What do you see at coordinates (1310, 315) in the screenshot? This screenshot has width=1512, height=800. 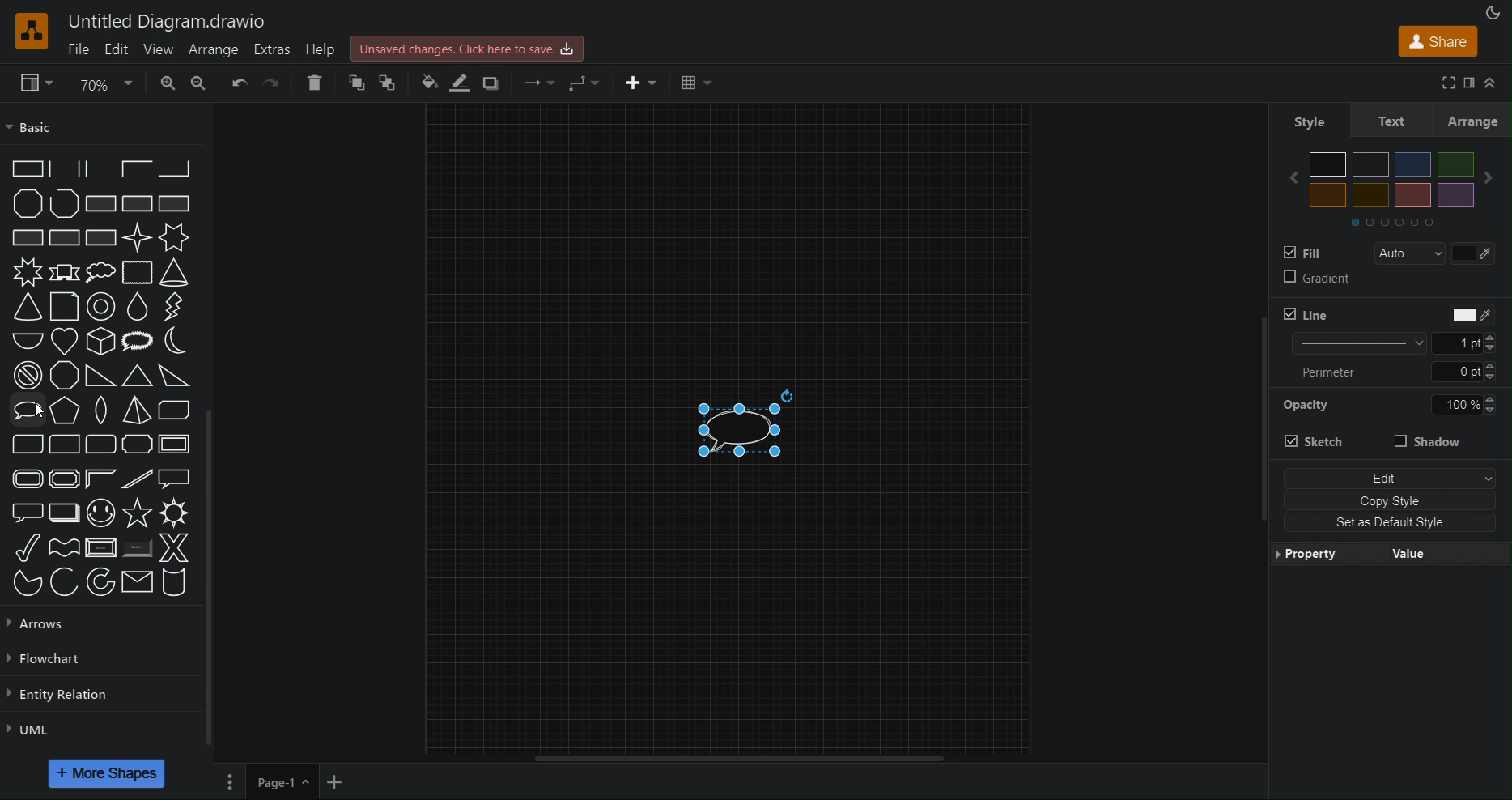 I see `Line` at bounding box center [1310, 315].